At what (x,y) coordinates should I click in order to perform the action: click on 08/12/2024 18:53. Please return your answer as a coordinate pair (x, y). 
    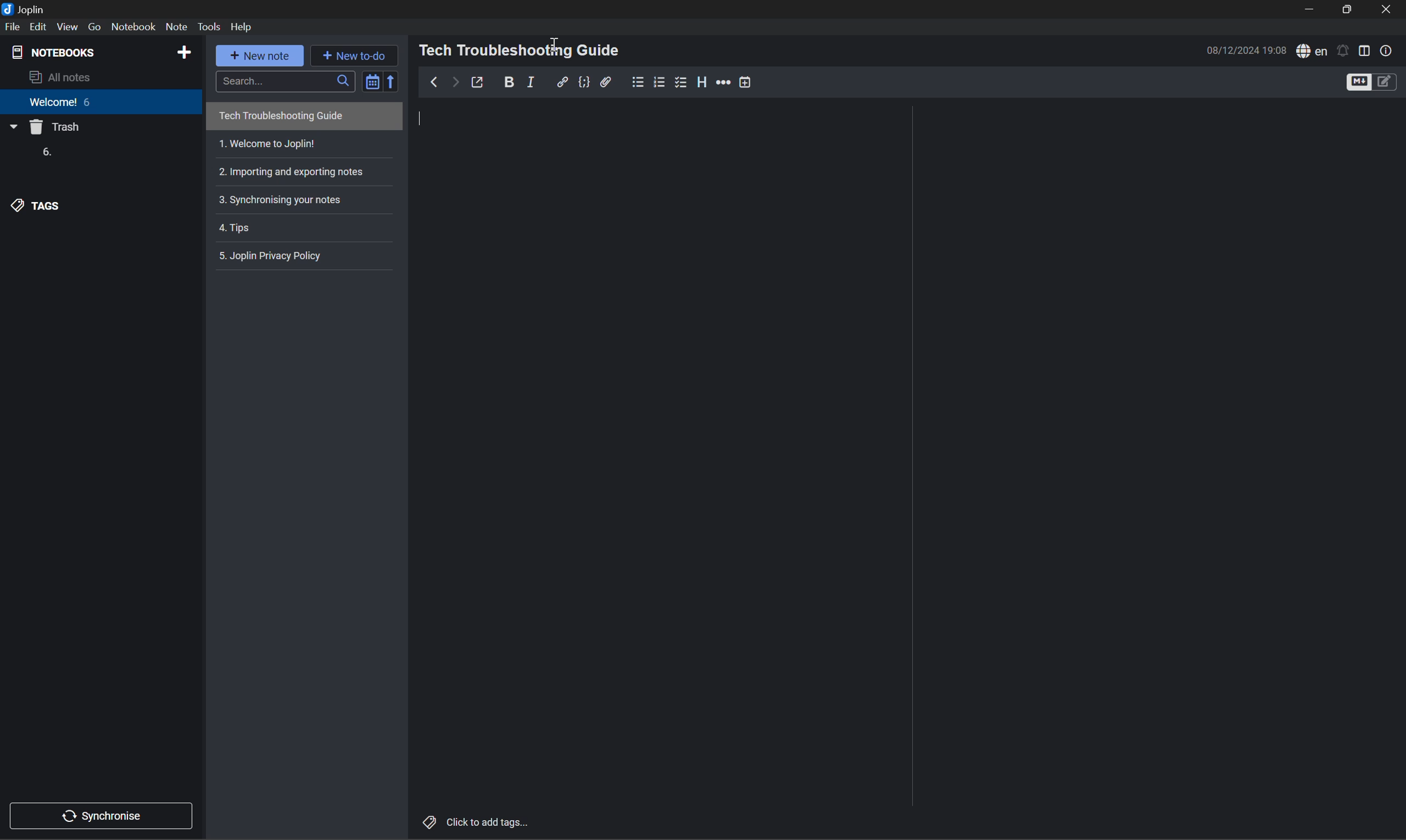
    Looking at the image, I should click on (1246, 50).